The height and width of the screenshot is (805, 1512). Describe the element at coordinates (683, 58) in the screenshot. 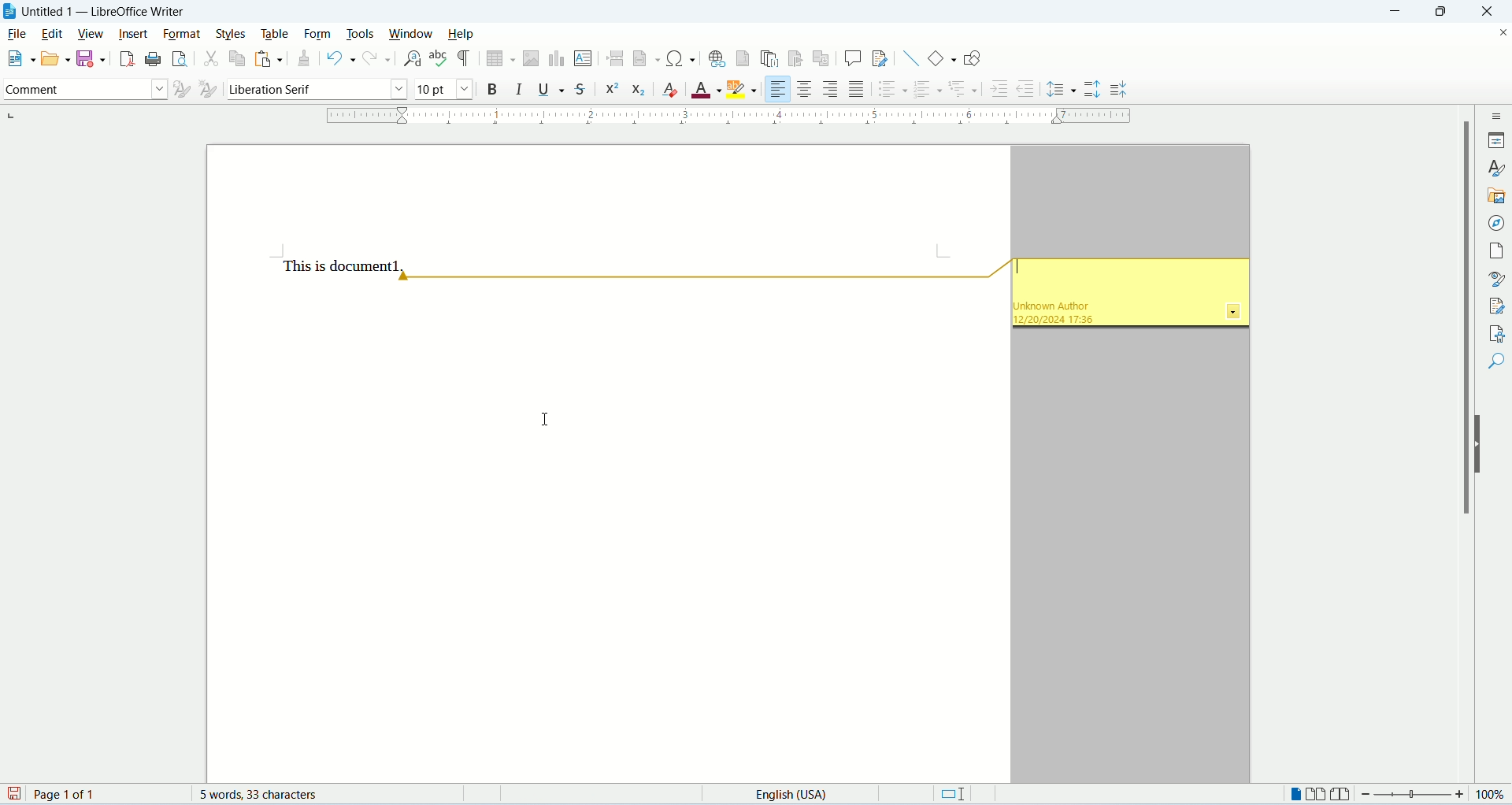

I see `insert special character` at that location.